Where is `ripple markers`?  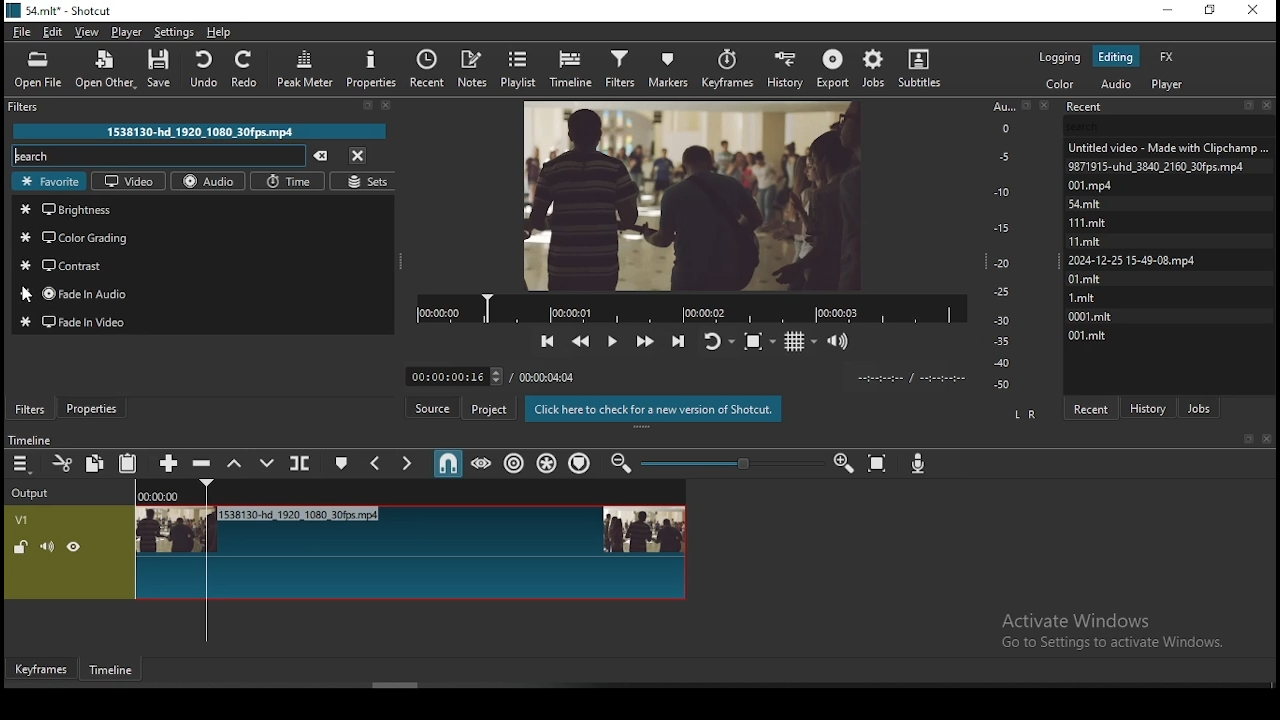 ripple markers is located at coordinates (581, 464).